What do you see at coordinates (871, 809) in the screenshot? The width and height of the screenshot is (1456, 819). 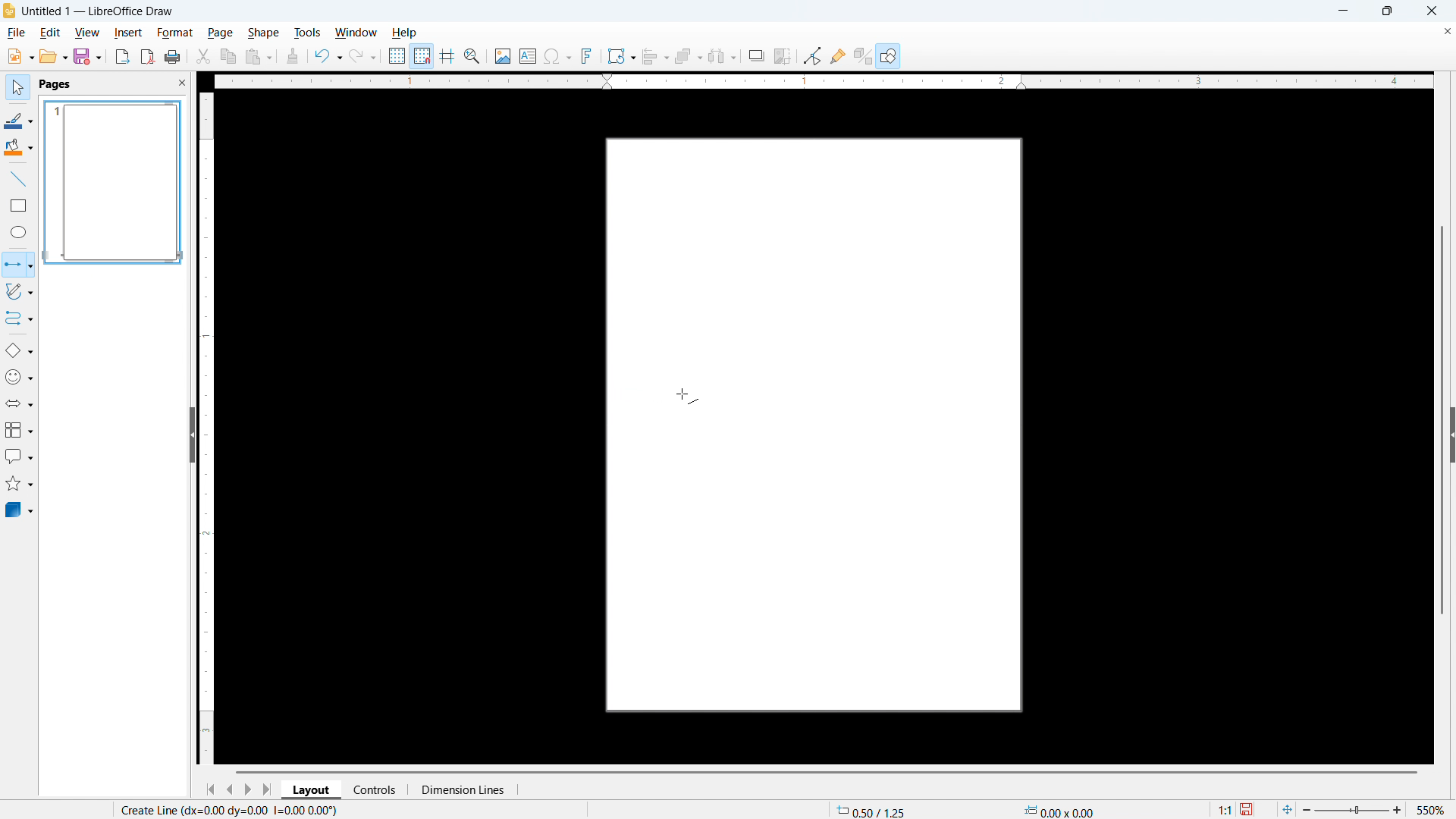 I see `0.50/1.25` at bounding box center [871, 809].